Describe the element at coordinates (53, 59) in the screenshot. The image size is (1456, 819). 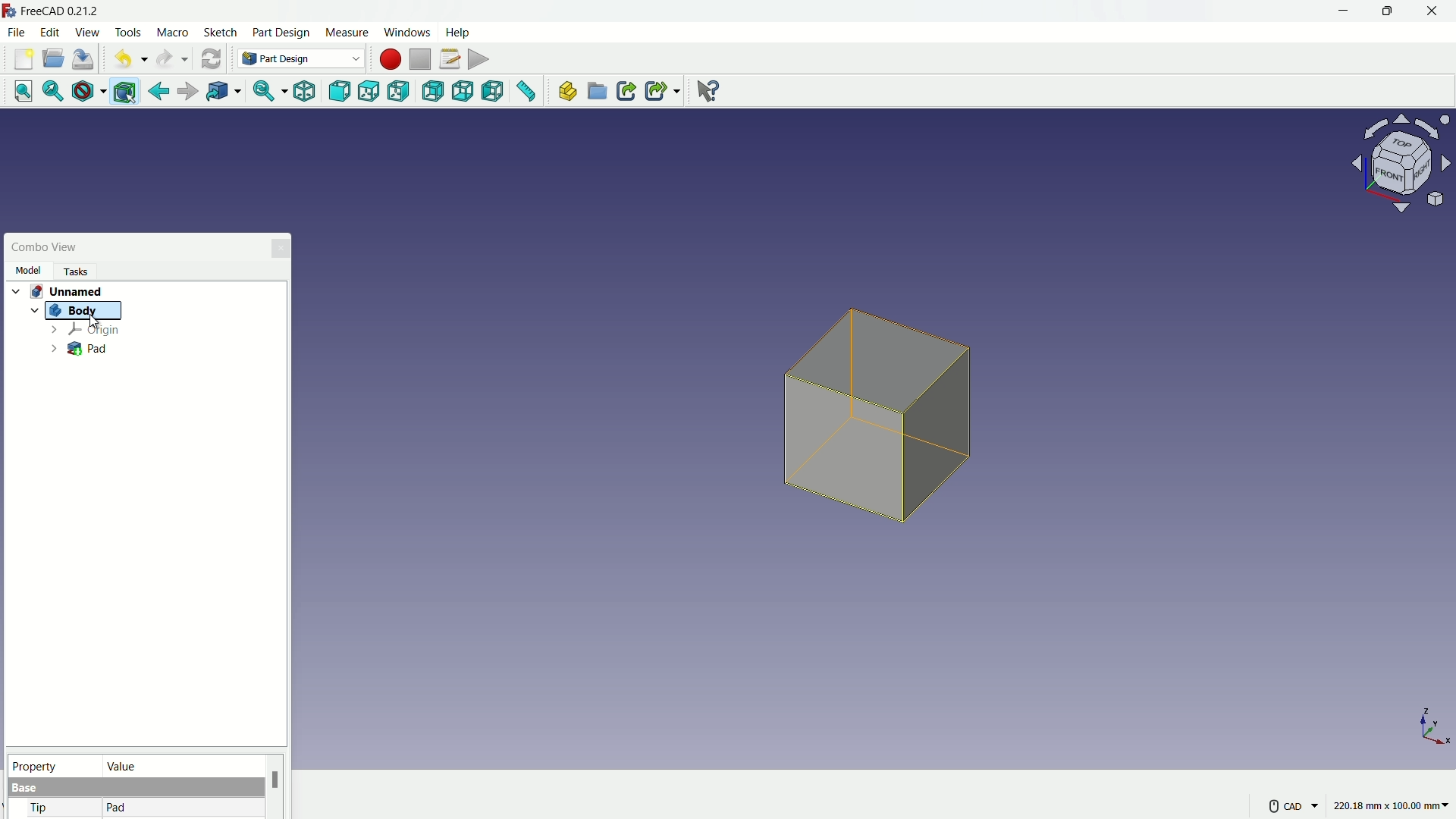
I see `open folder` at that location.